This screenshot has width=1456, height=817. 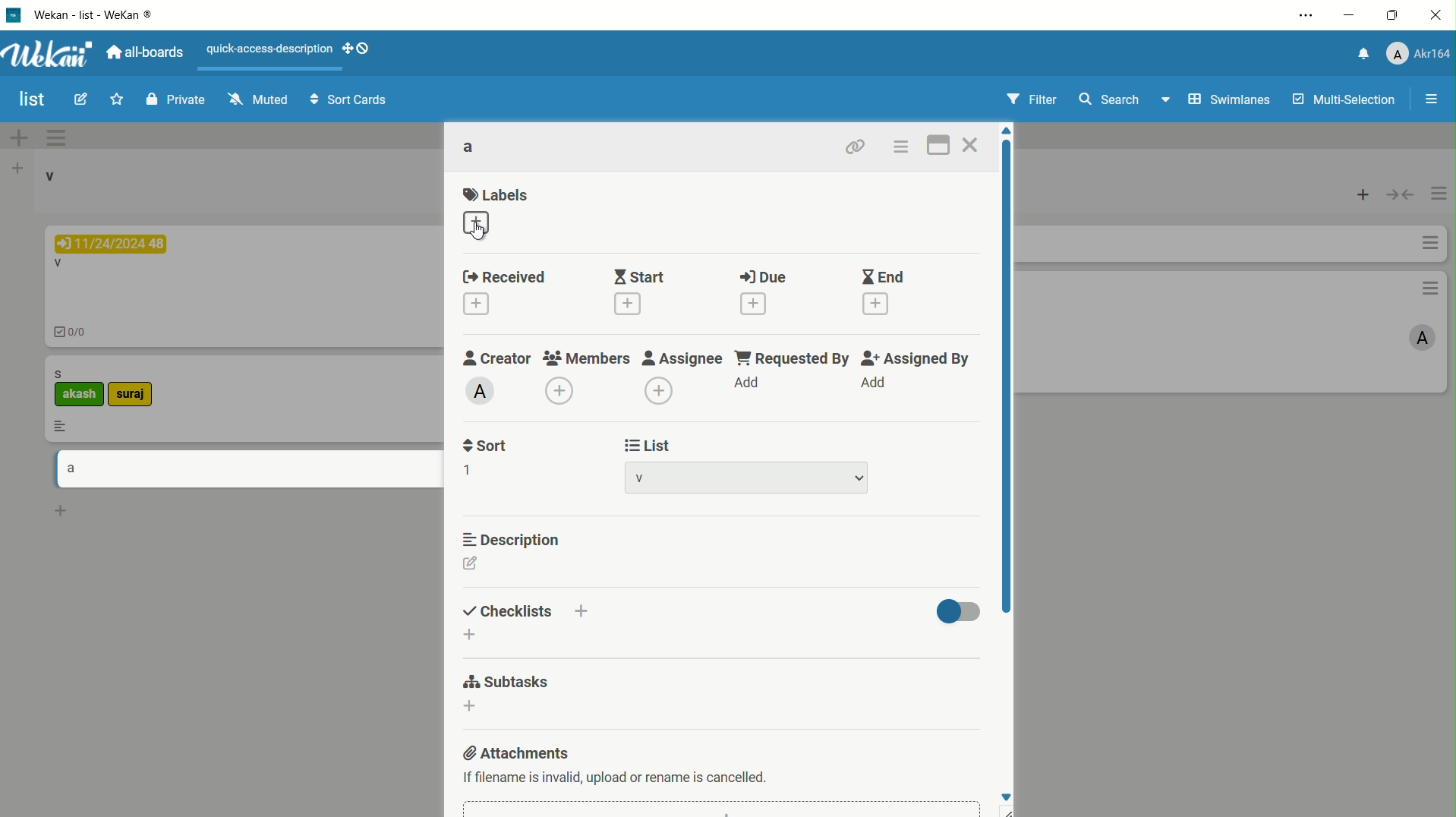 I want to click on swimlanes, so click(x=1212, y=99).